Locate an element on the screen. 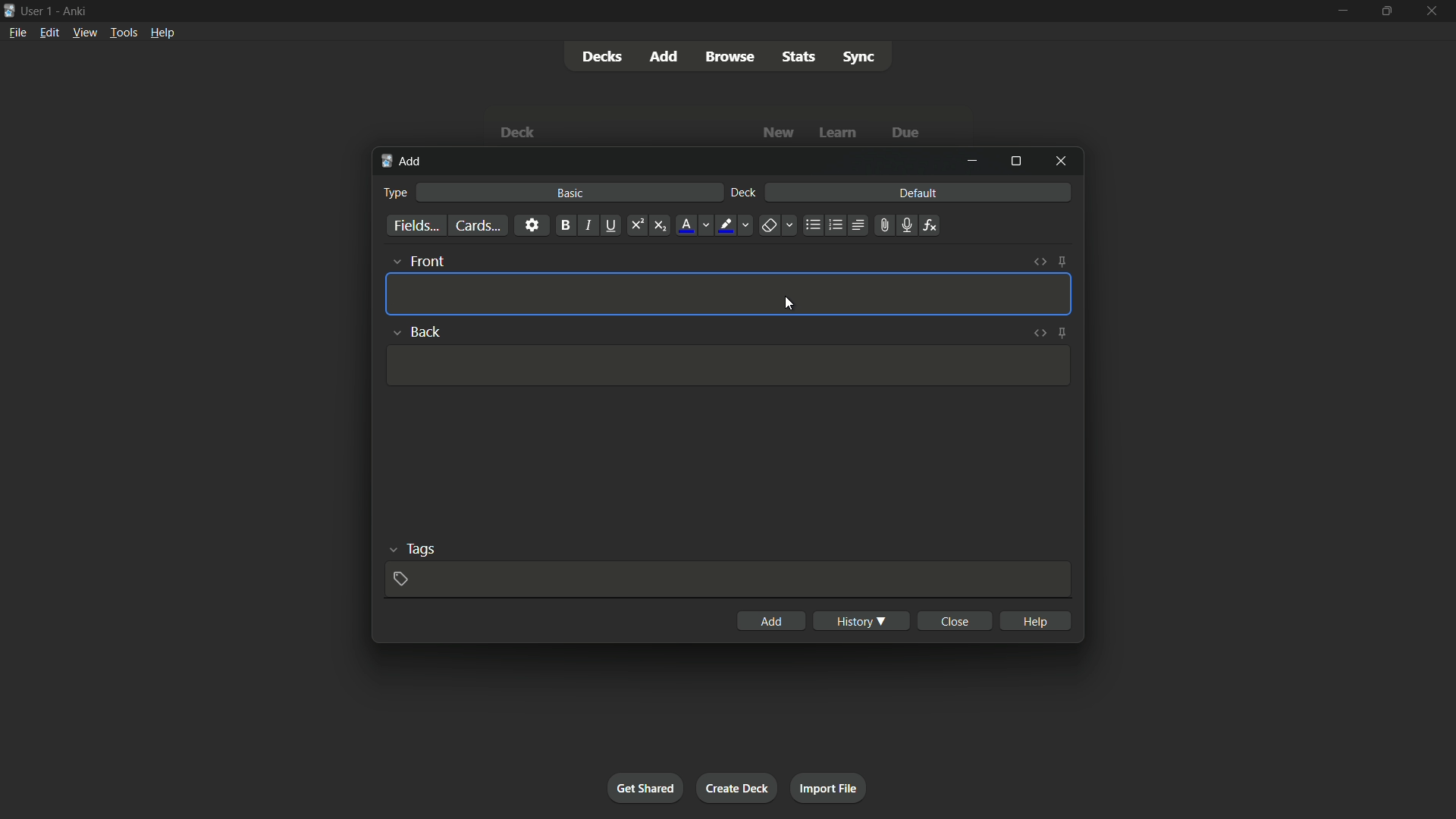 The width and height of the screenshot is (1456, 819). unordered list is located at coordinates (812, 225).